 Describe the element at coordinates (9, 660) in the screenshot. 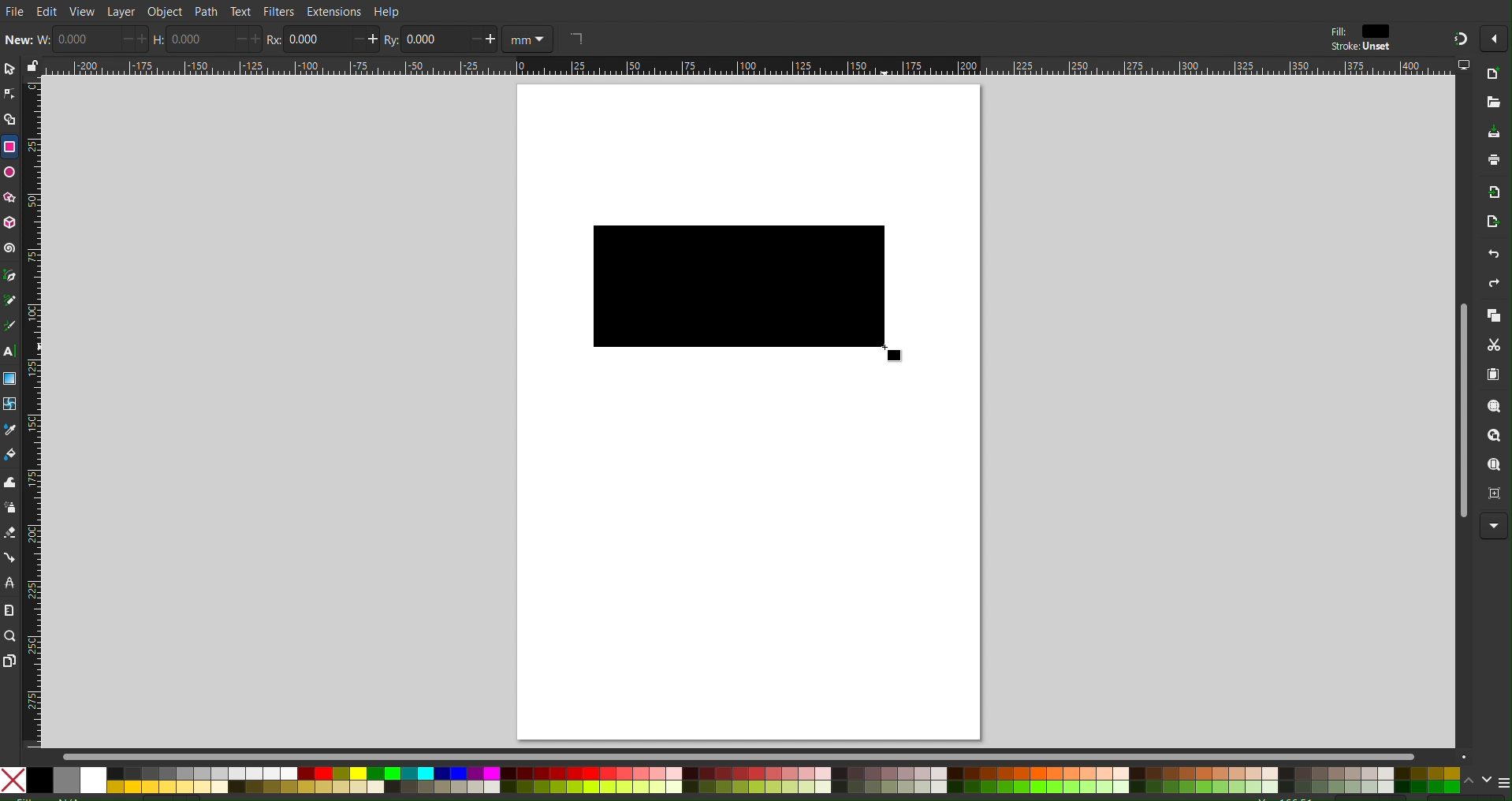

I see `Pages` at that location.